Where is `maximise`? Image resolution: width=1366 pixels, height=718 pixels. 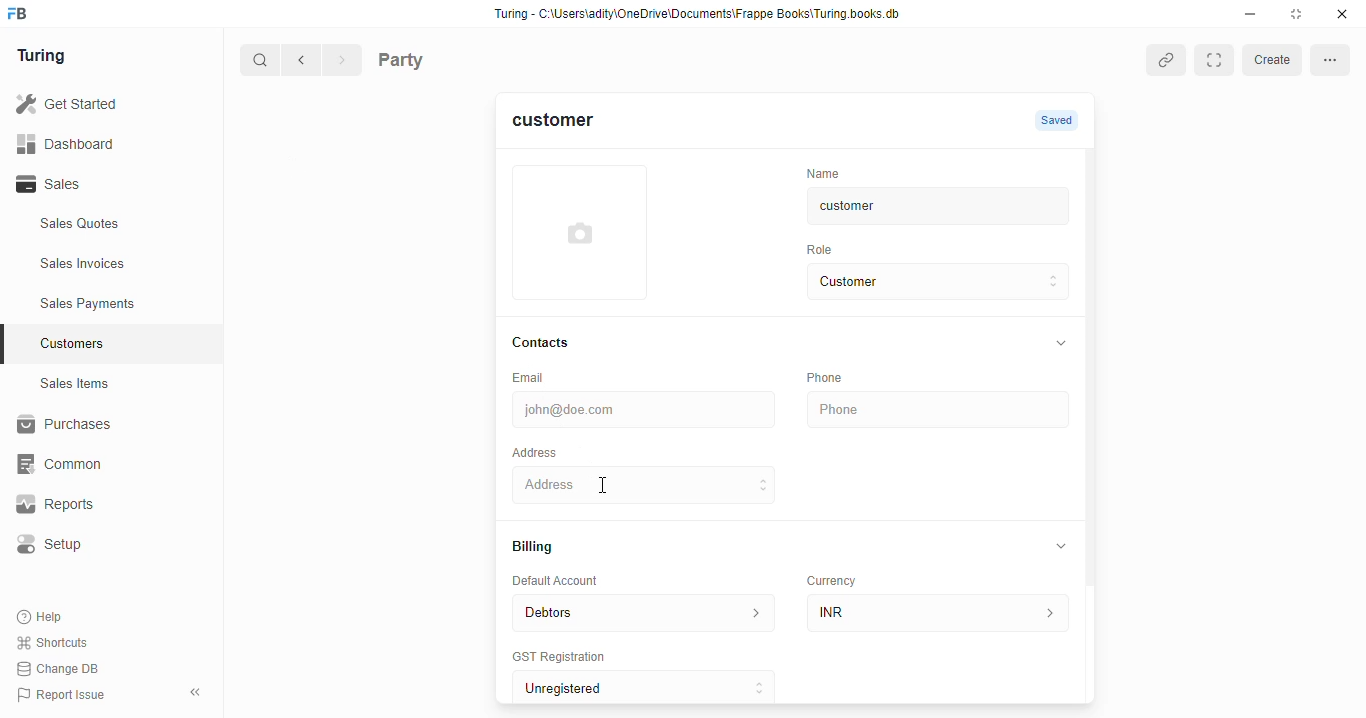
maximise is located at coordinates (1300, 14).